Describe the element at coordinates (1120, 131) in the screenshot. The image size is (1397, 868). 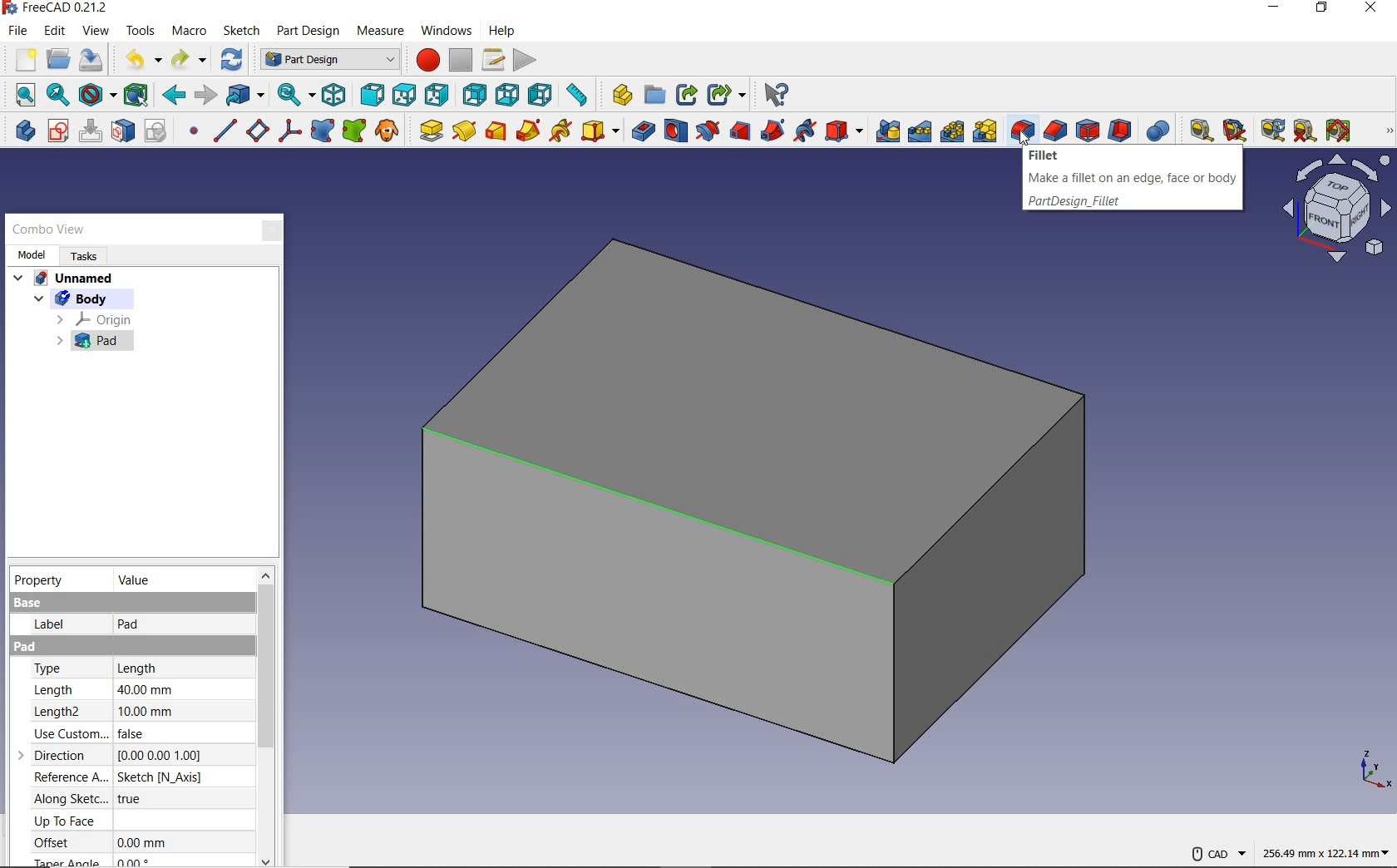
I see `thickness` at that location.